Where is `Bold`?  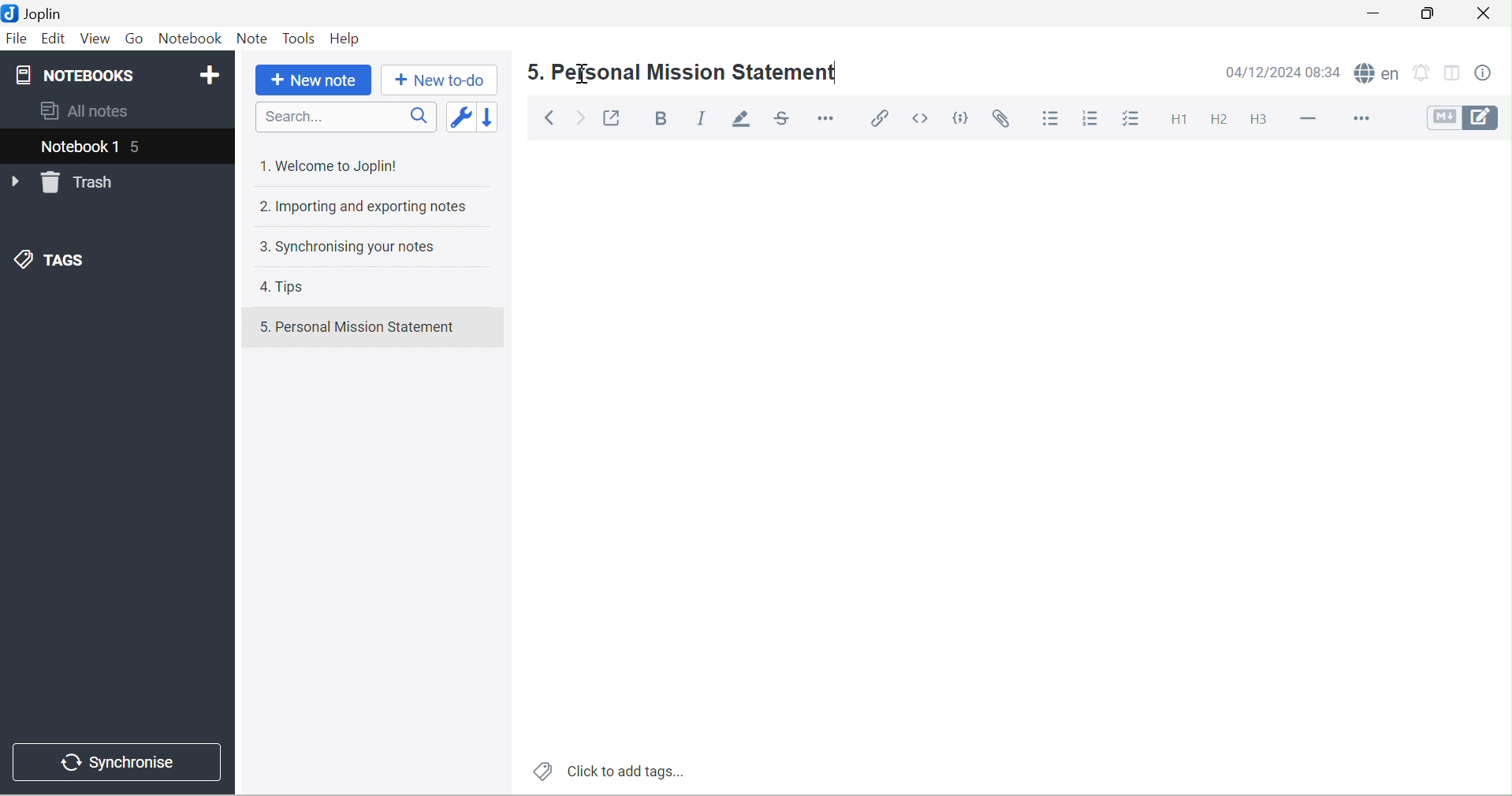
Bold is located at coordinates (660, 118).